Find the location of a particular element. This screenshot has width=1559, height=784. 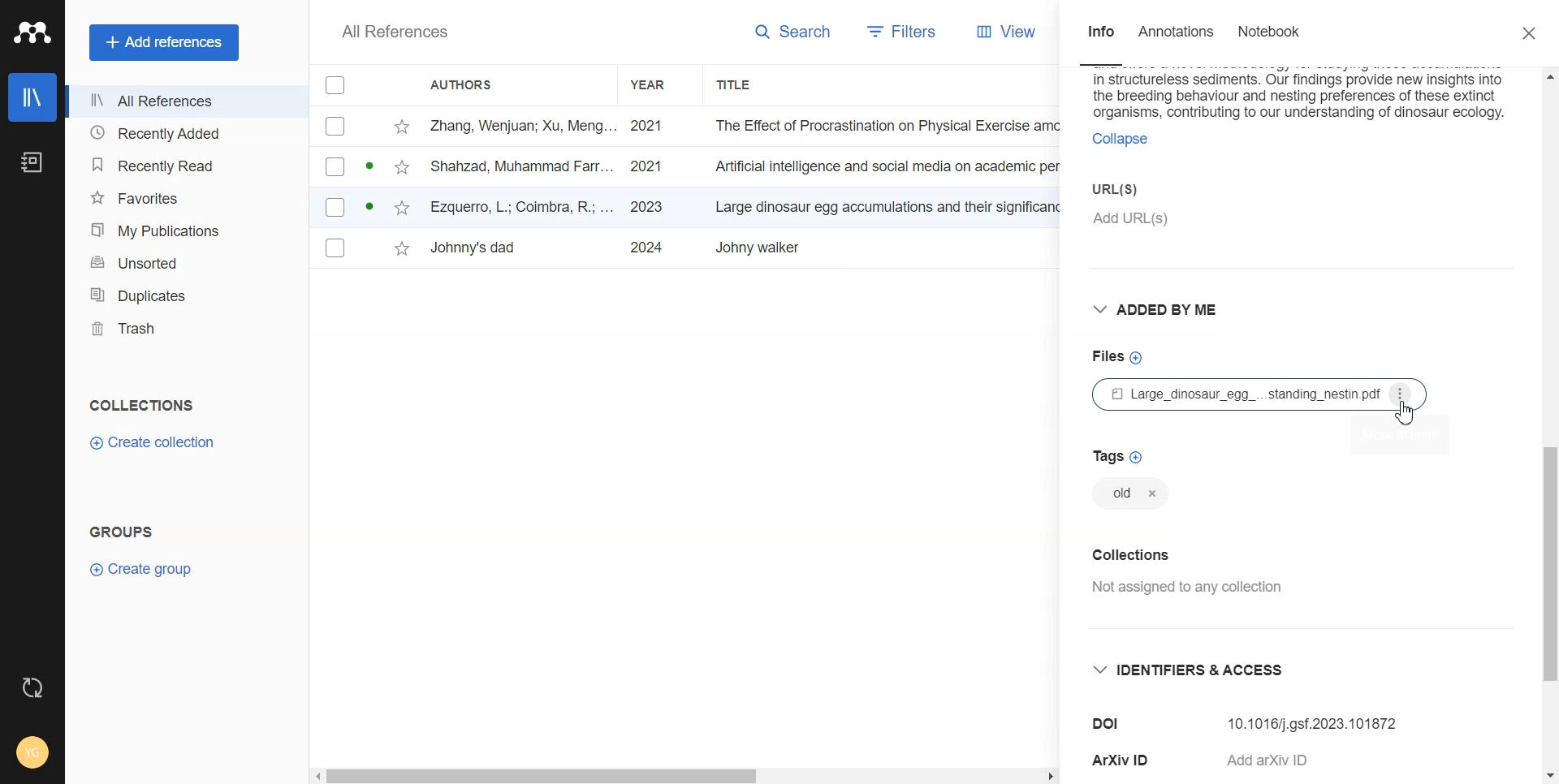

(un)select is located at coordinates (334, 127).